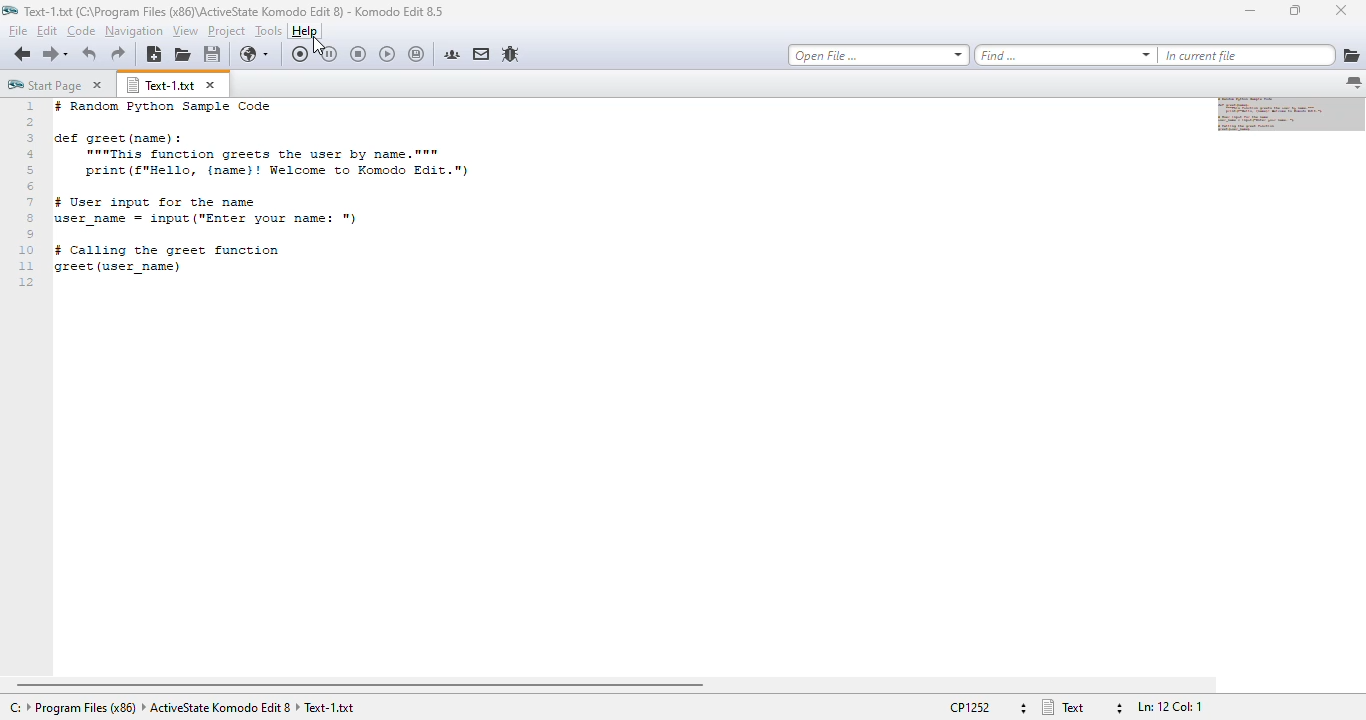 The width and height of the screenshot is (1366, 720). Describe the element at coordinates (1170, 707) in the screenshot. I see `file position` at that location.